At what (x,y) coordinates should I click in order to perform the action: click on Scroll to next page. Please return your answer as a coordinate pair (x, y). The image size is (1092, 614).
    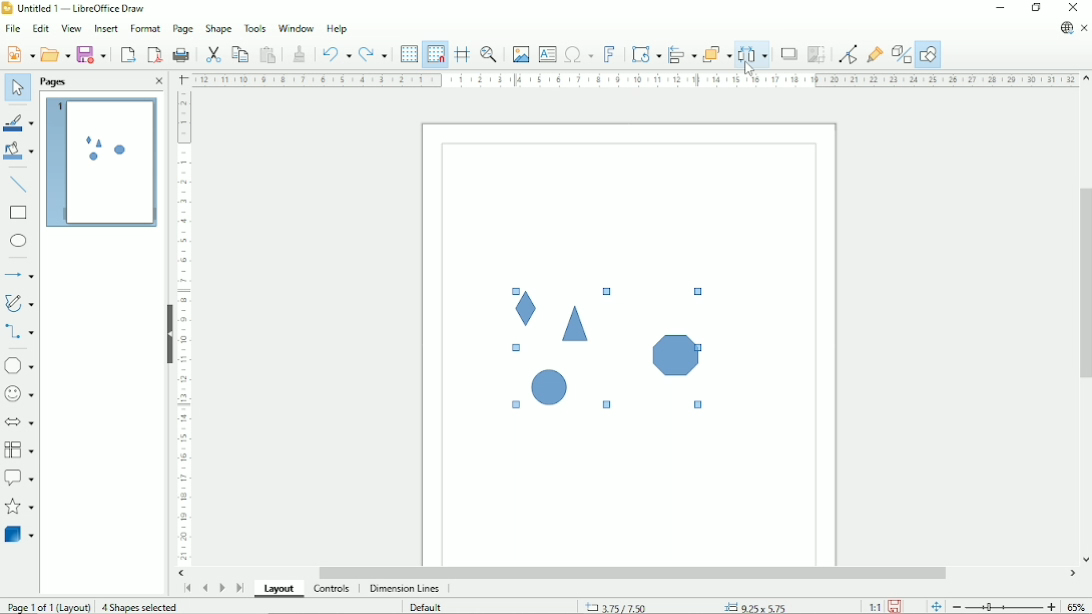
    Looking at the image, I should click on (222, 586).